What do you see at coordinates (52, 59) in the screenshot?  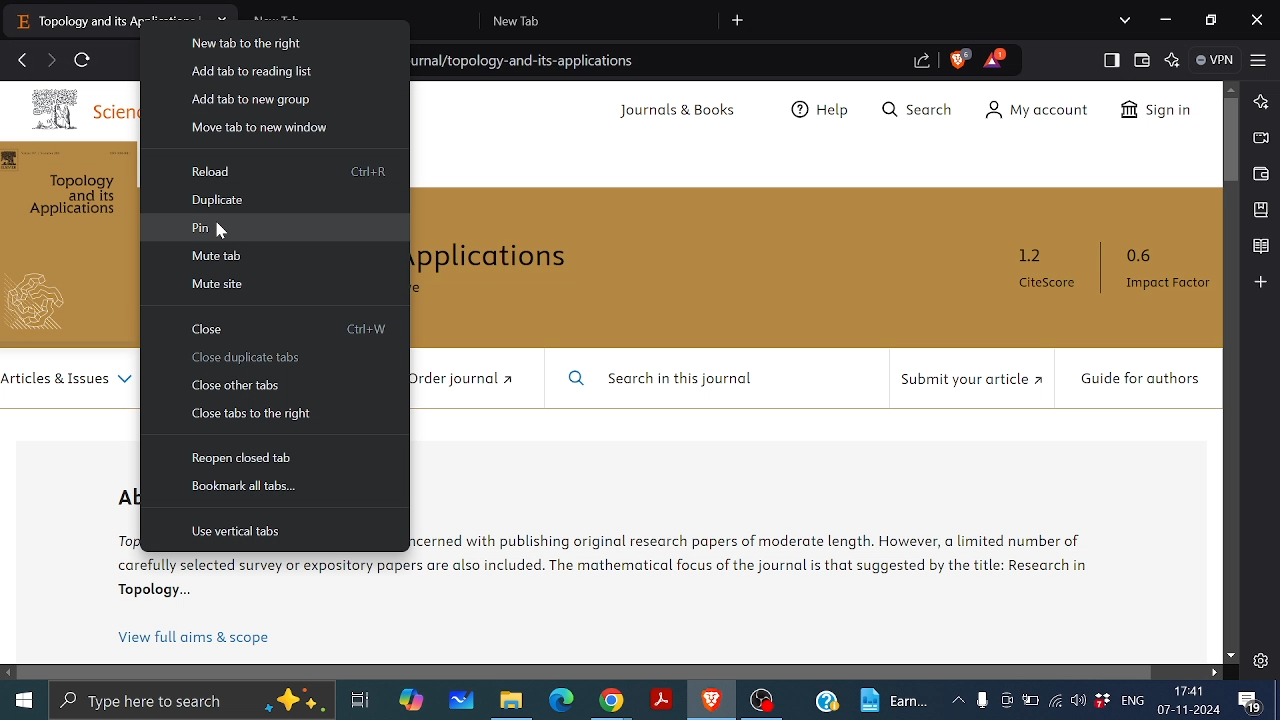 I see `next page` at bounding box center [52, 59].